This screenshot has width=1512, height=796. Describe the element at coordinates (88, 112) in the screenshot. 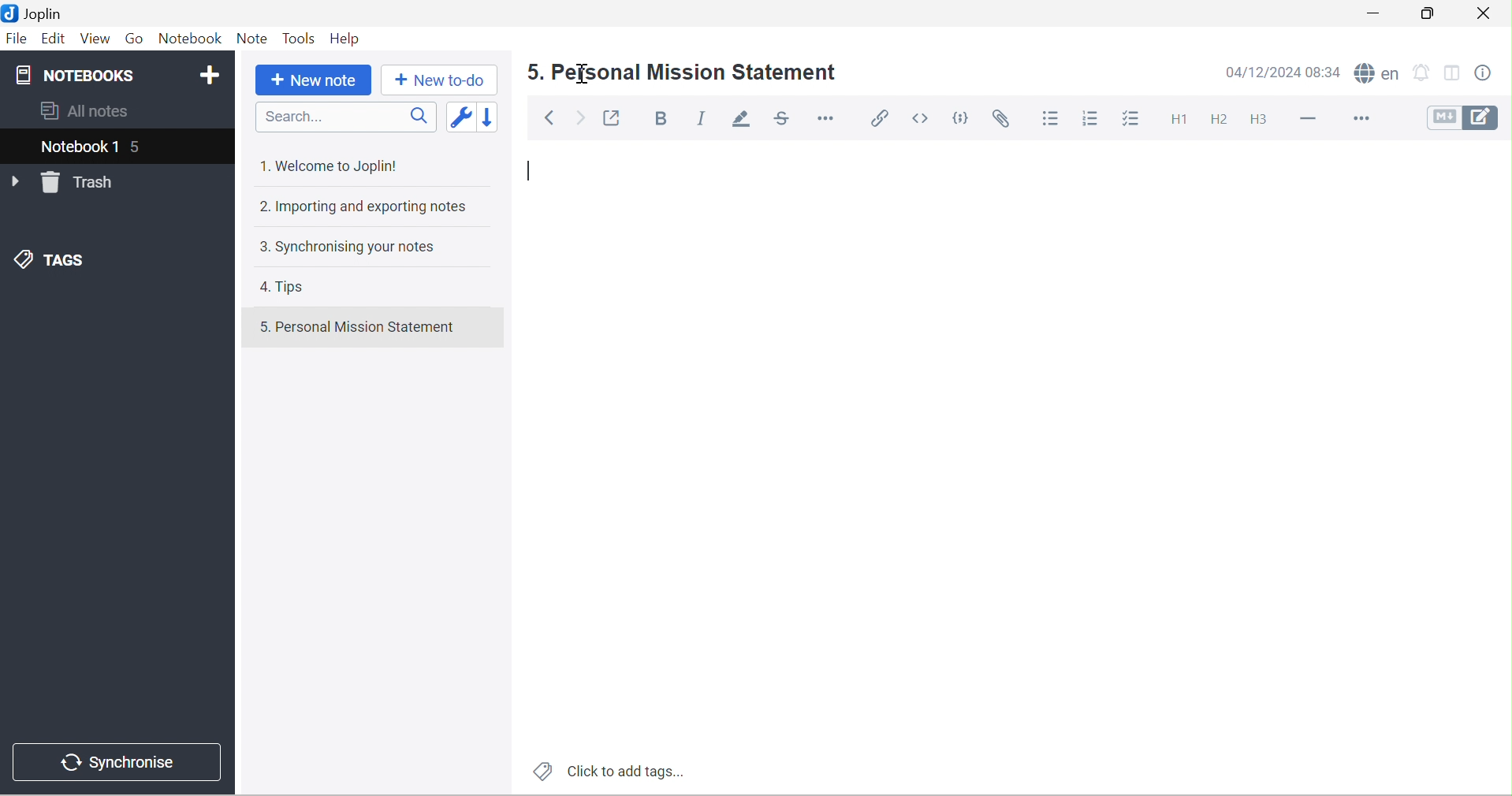

I see `All notes` at that location.